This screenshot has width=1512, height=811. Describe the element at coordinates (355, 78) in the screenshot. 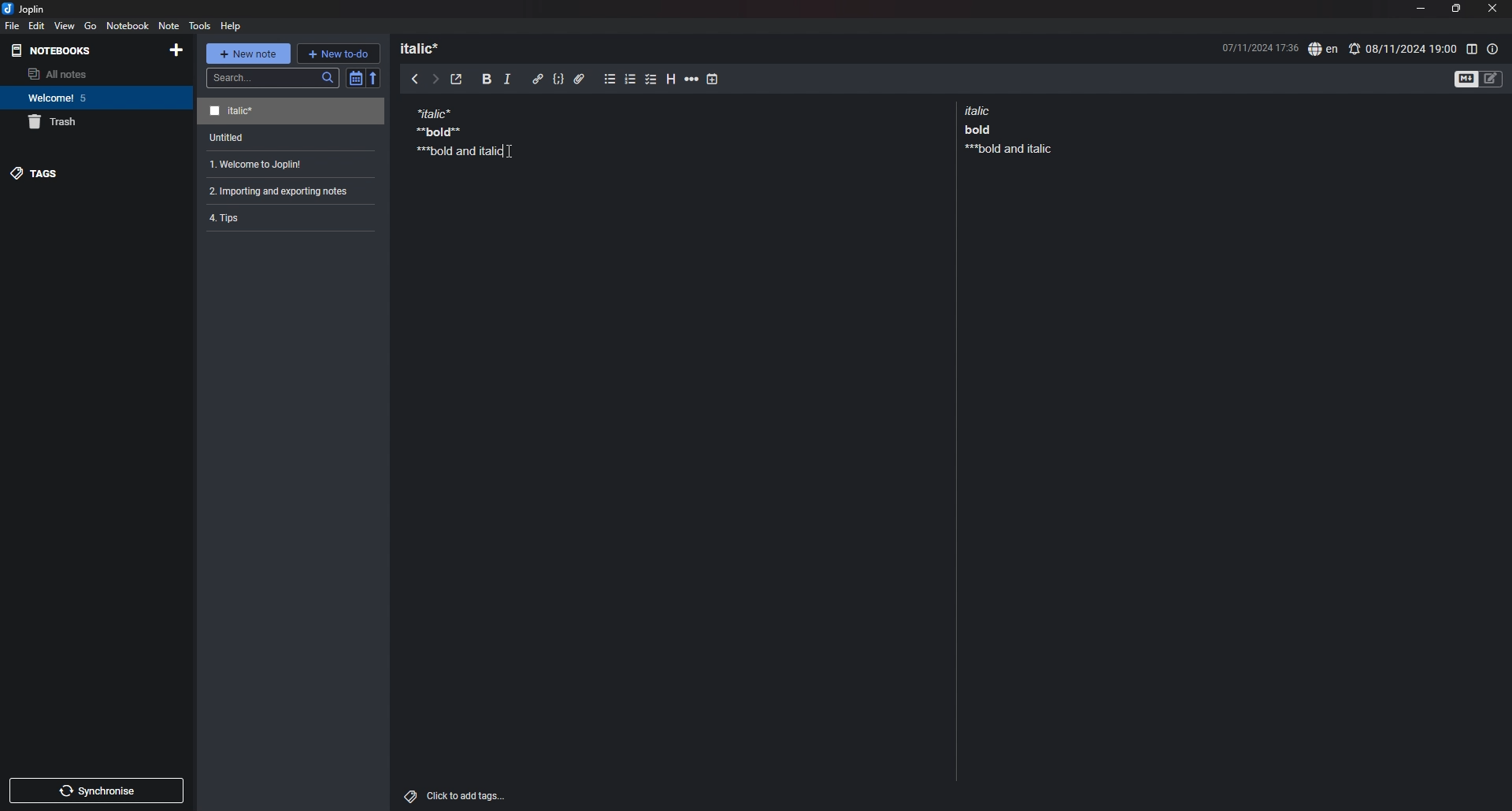

I see `toggle sort order` at that location.